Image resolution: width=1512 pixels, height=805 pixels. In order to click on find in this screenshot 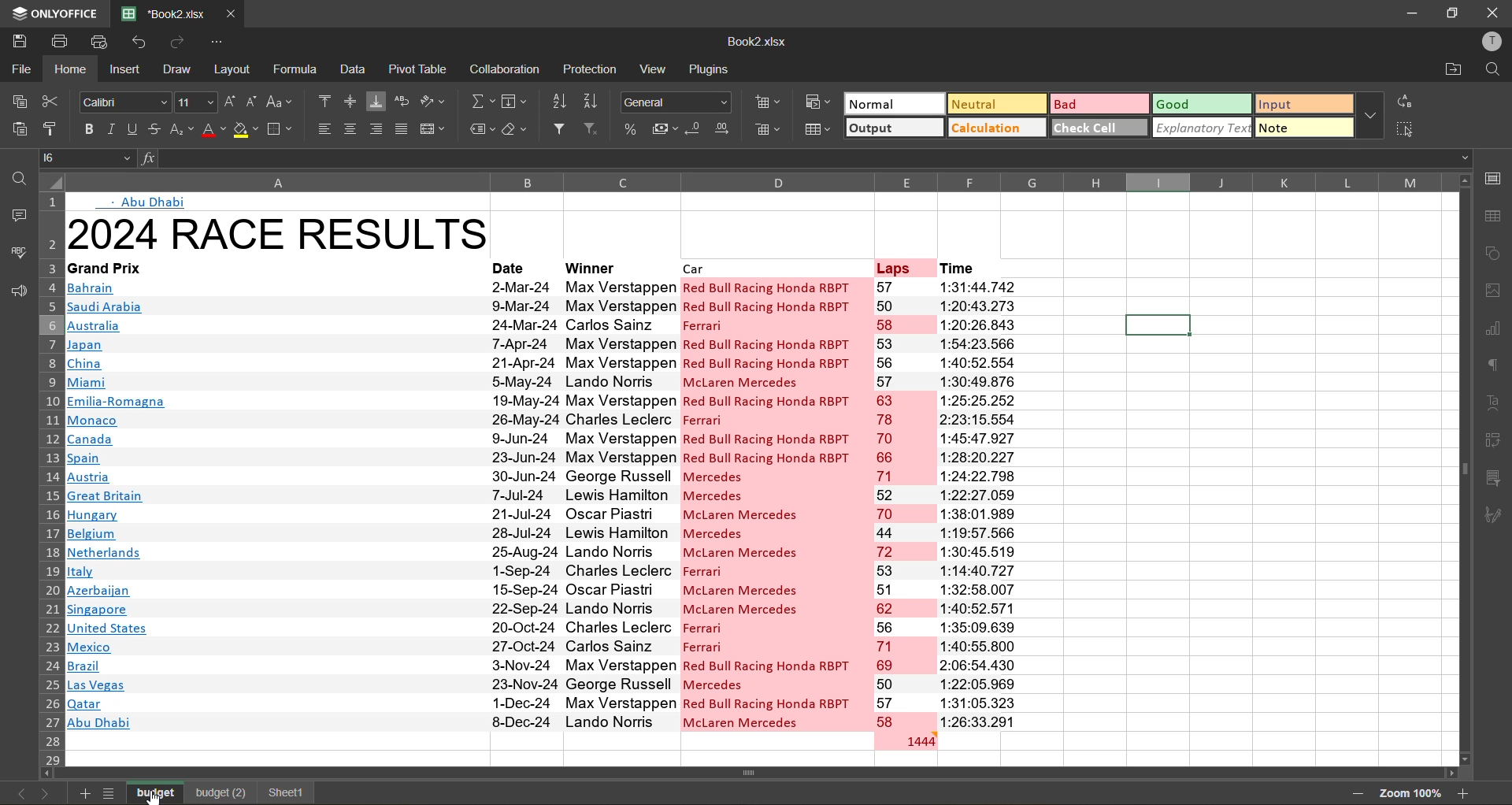, I will do `click(1492, 70)`.